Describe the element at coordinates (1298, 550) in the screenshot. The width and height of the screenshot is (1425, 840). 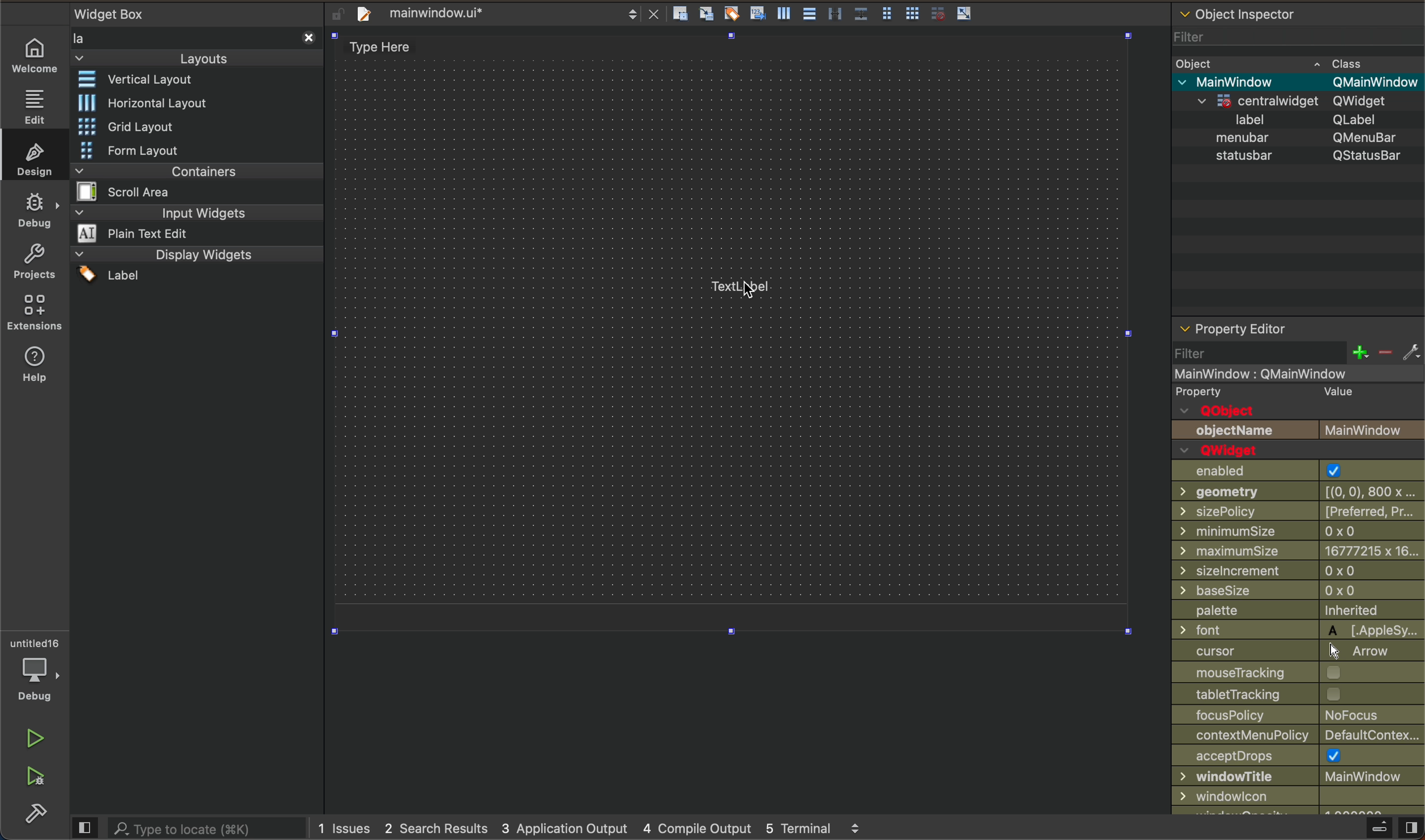
I see `min size` at that location.